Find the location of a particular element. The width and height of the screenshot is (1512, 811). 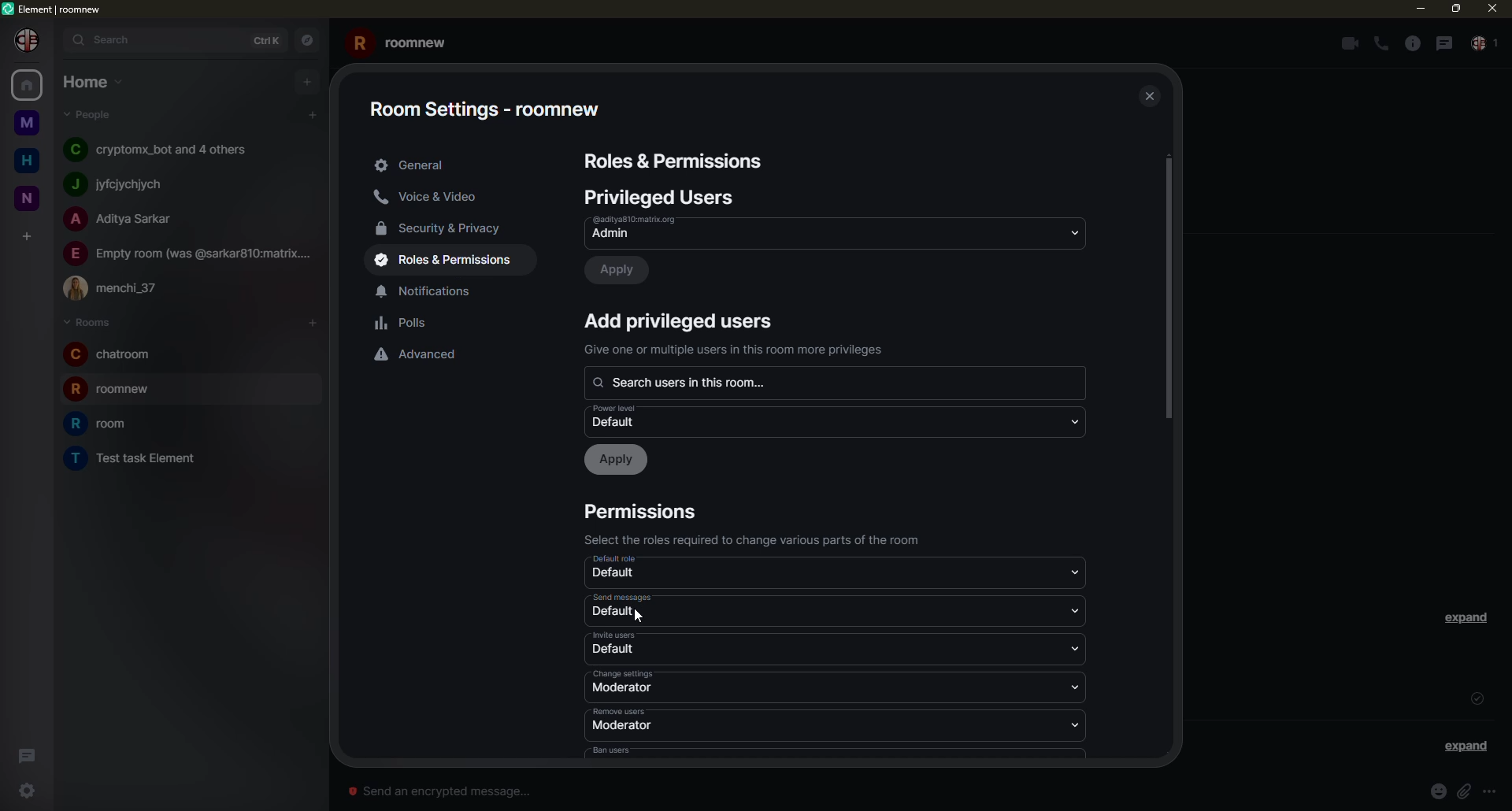

send message is located at coordinates (443, 791).